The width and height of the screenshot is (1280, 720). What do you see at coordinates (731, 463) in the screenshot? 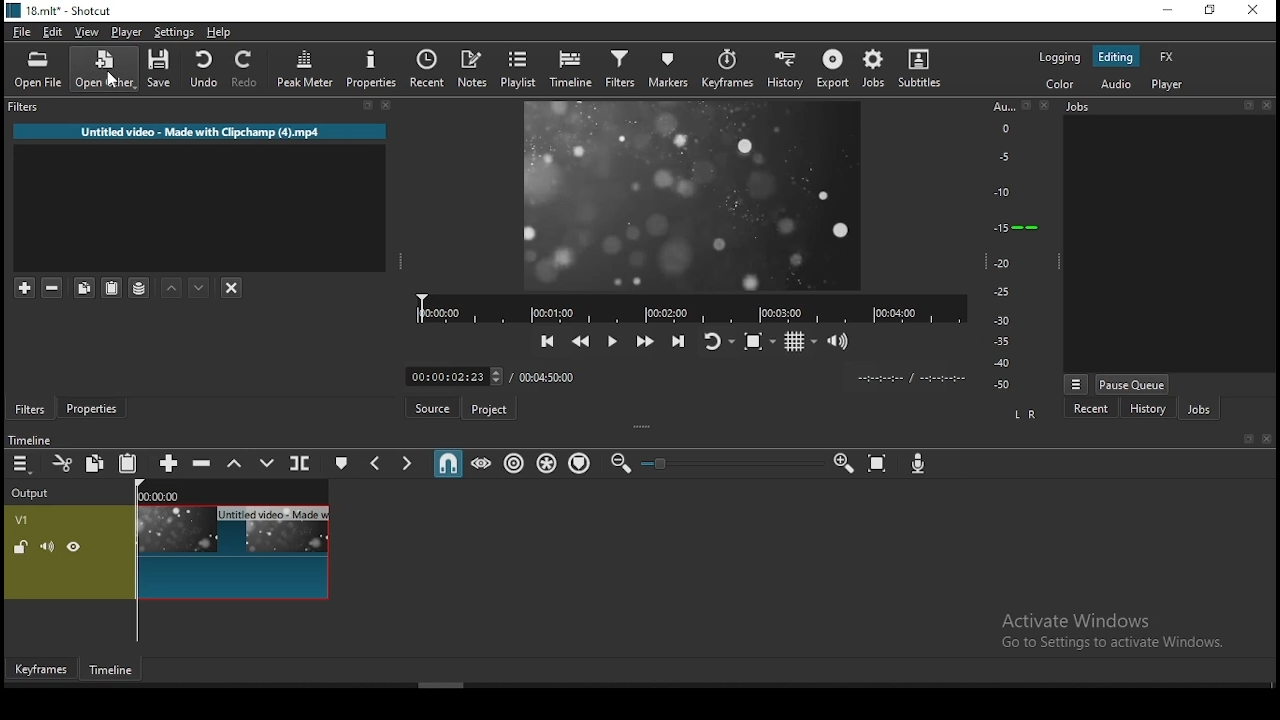
I see `Zoom in or zoom out slider` at bounding box center [731, 463].